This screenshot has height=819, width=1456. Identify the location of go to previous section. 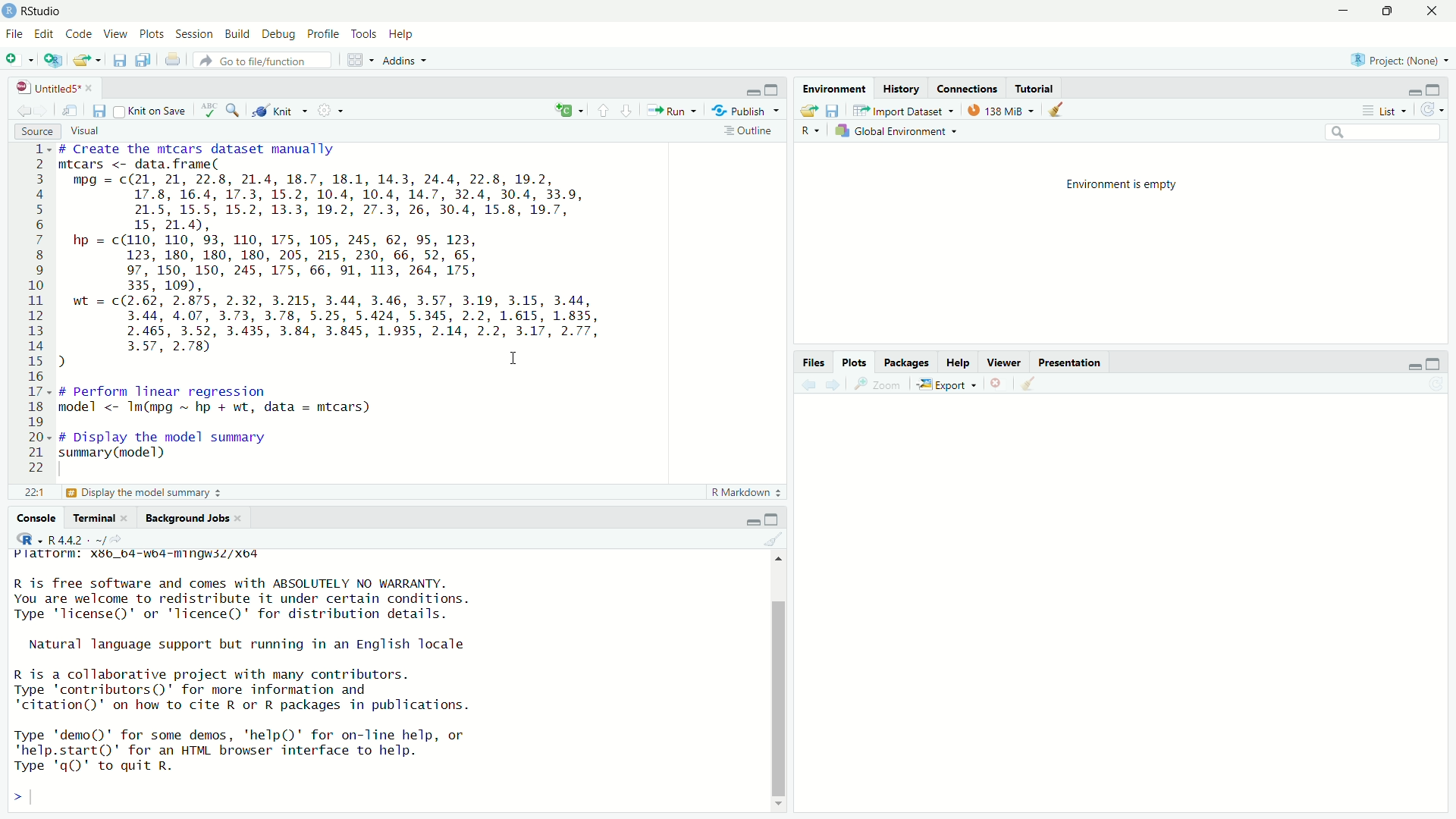
(602, 110).